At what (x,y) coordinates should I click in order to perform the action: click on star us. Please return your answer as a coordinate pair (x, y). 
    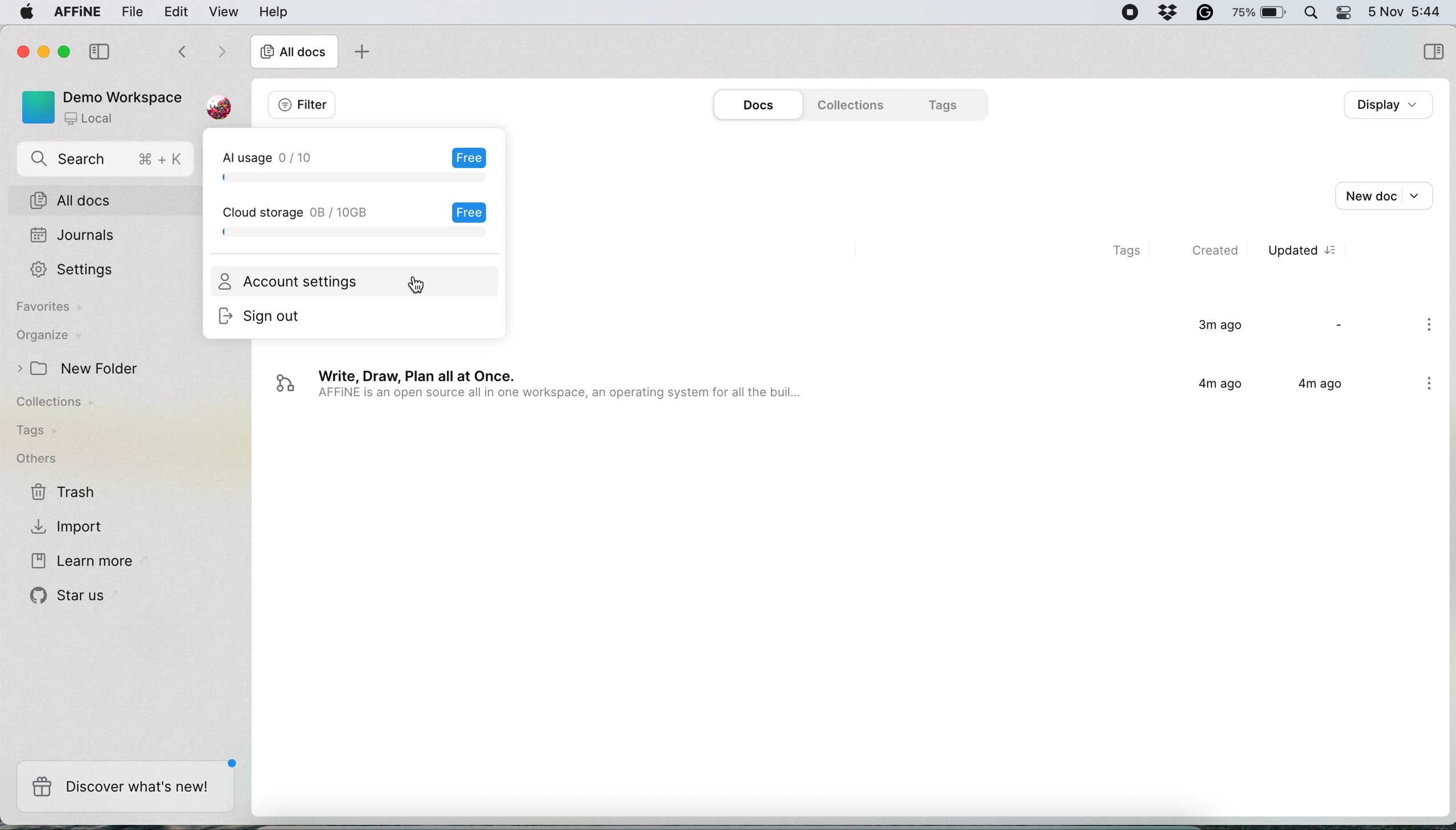
    Looking at the image, I should click on (71, 595).